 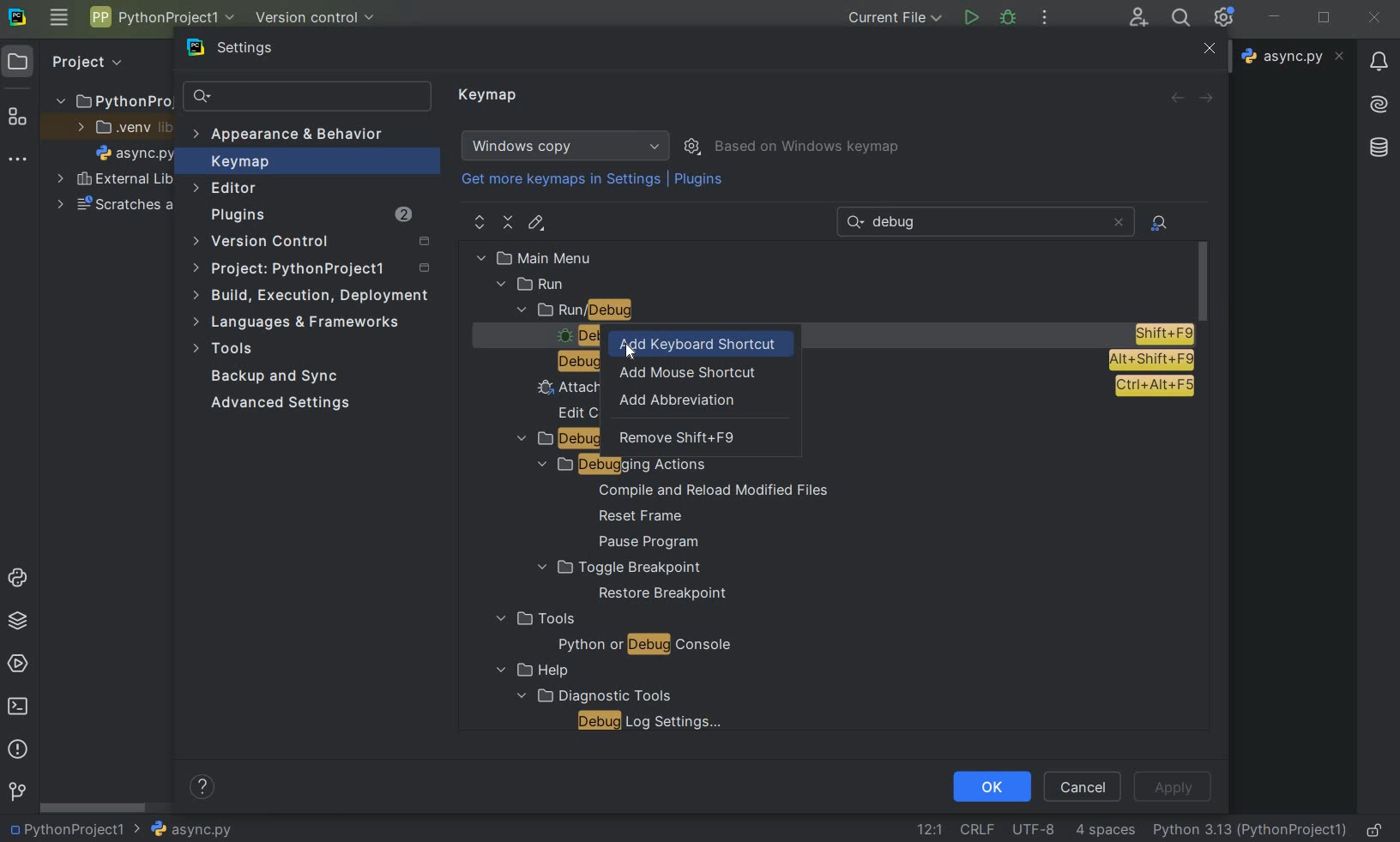 I want to click on more actions, so click(x=1044, y=19).